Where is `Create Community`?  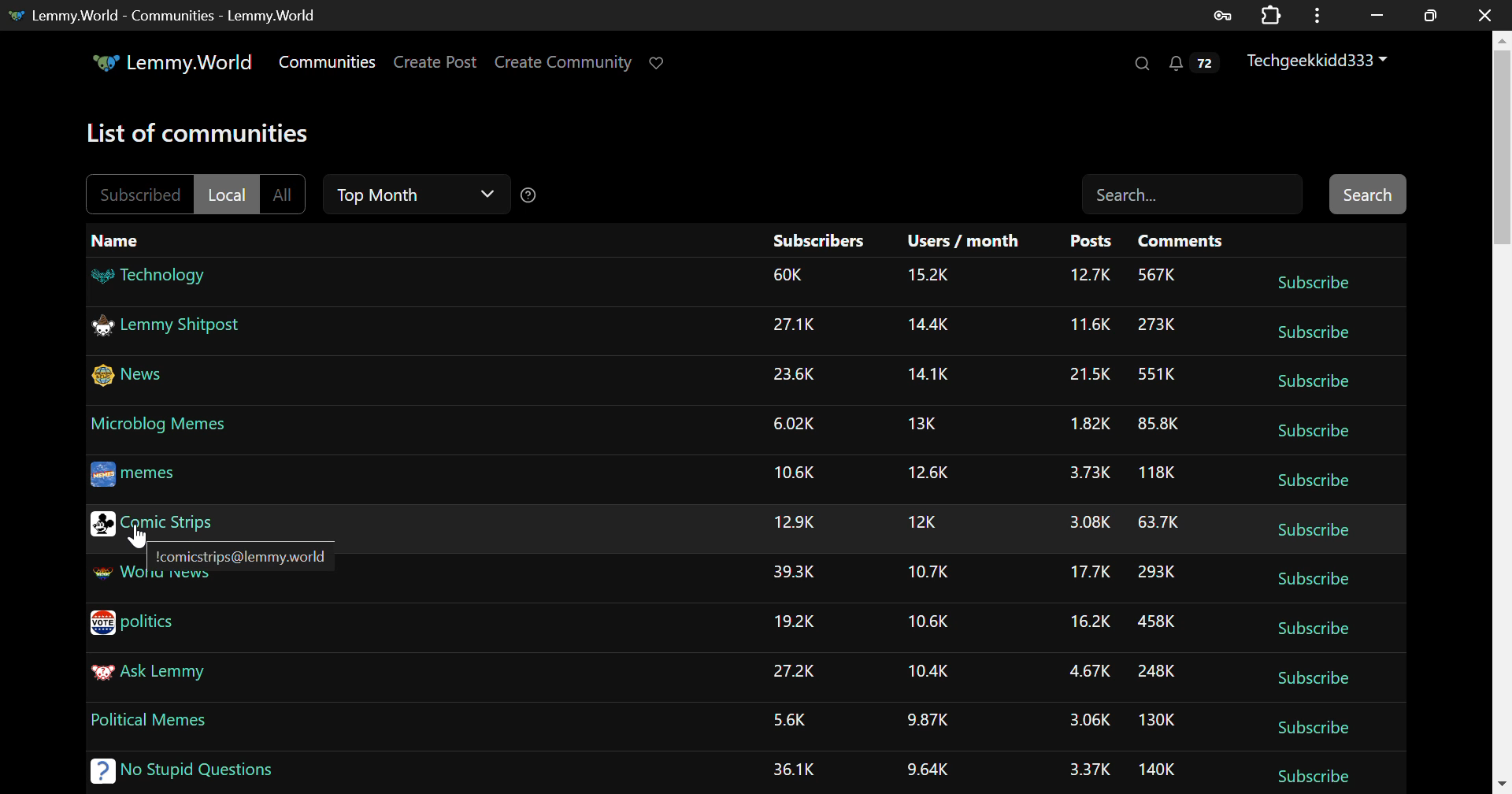
Create Community is located at coordinates (566, 65).